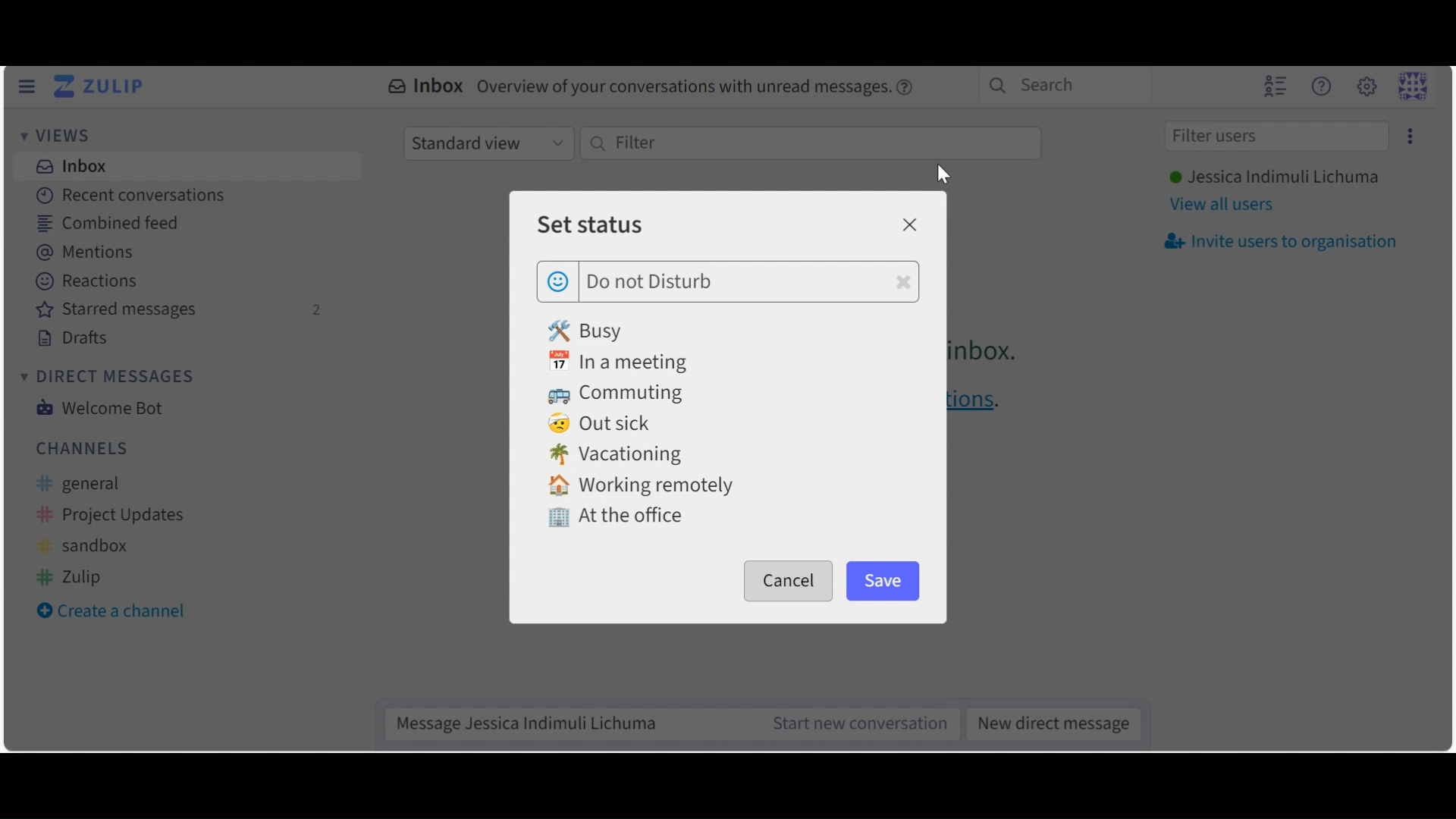 The width and height of the screenshot is (1456, 819). I want to click on At the office, so click(615, 519).